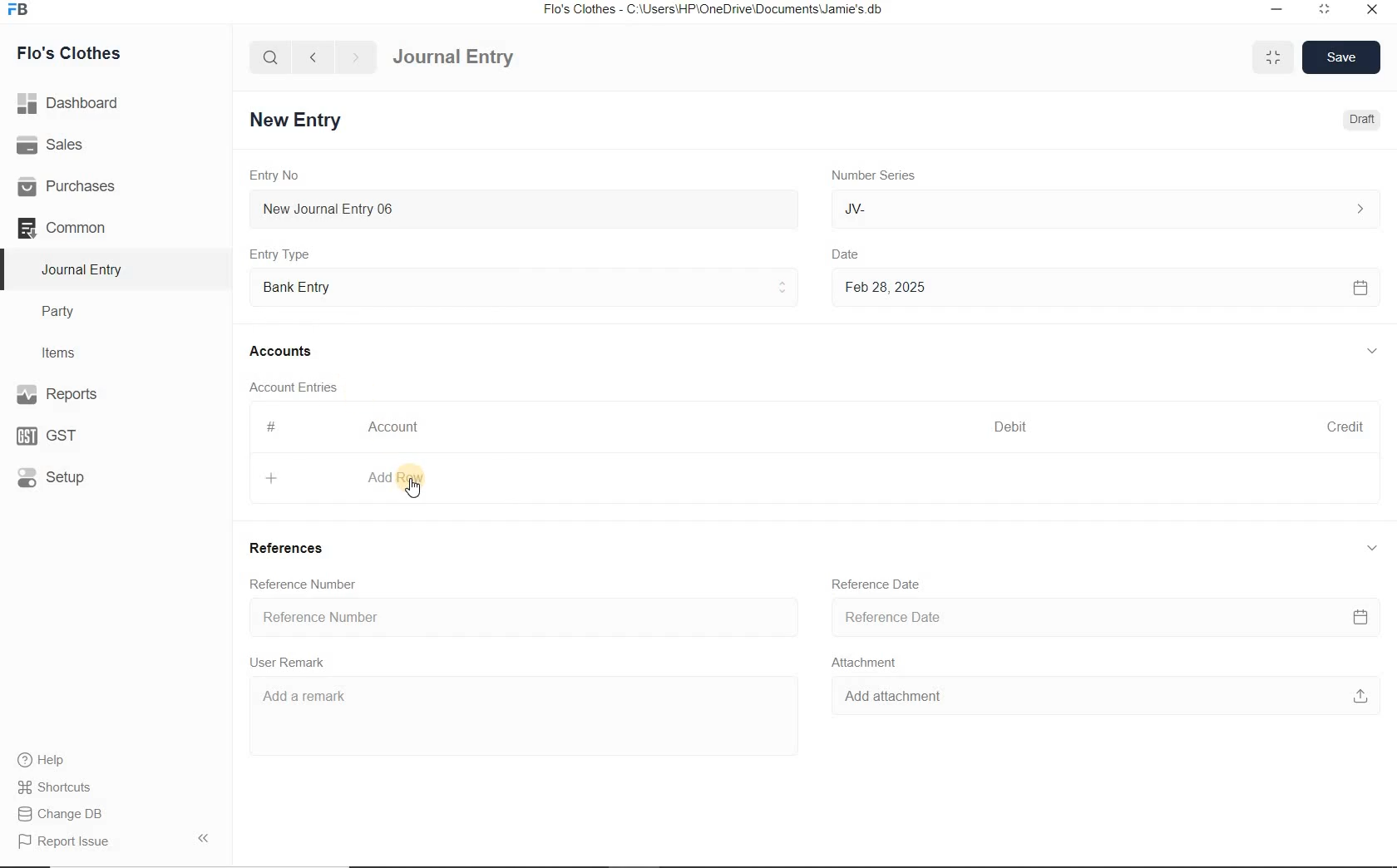 The image size is (1397, 868). I want to click on Account Entries, so click(300, 387).